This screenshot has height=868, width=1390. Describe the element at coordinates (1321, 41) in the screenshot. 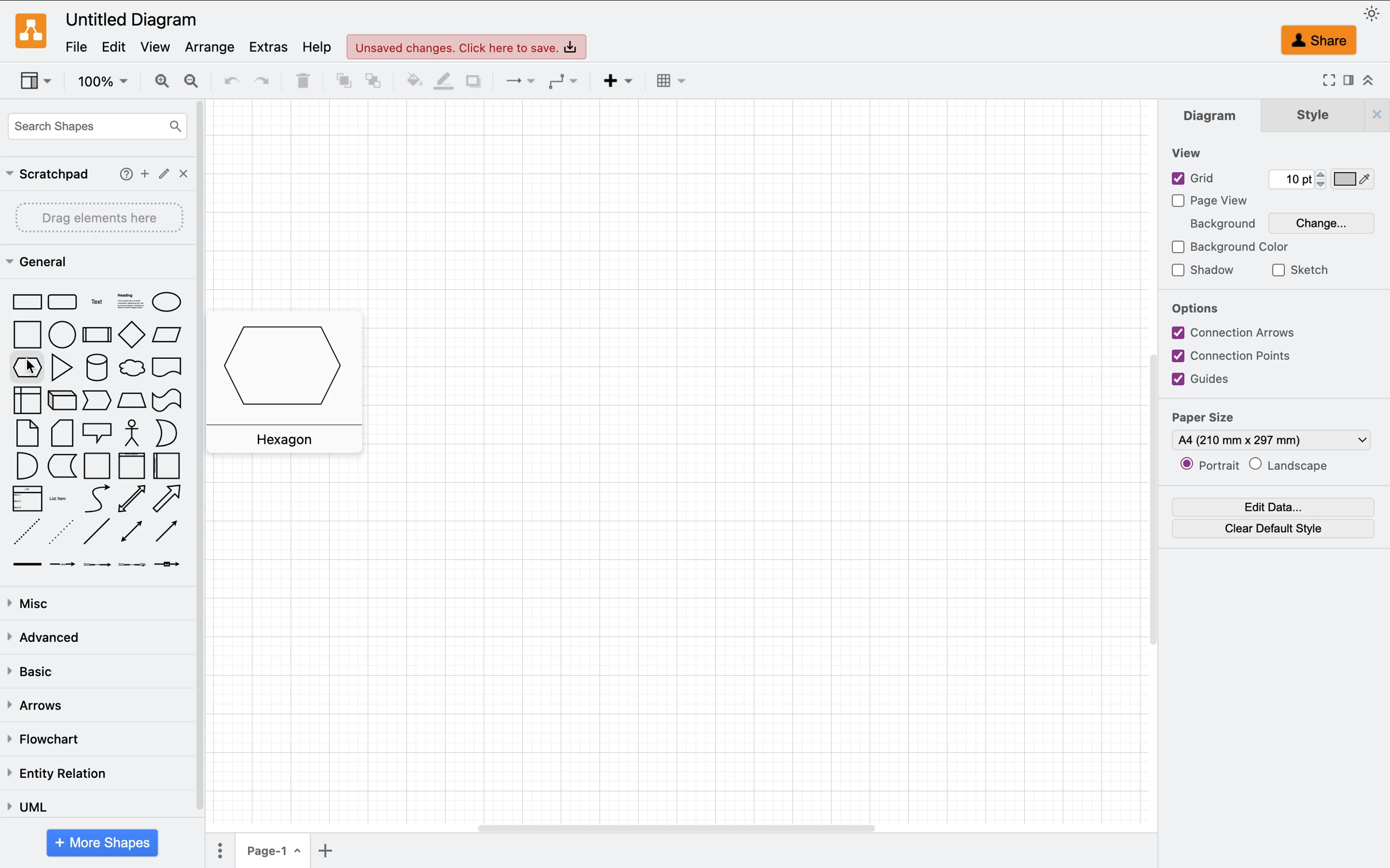

I see `share` at that location.